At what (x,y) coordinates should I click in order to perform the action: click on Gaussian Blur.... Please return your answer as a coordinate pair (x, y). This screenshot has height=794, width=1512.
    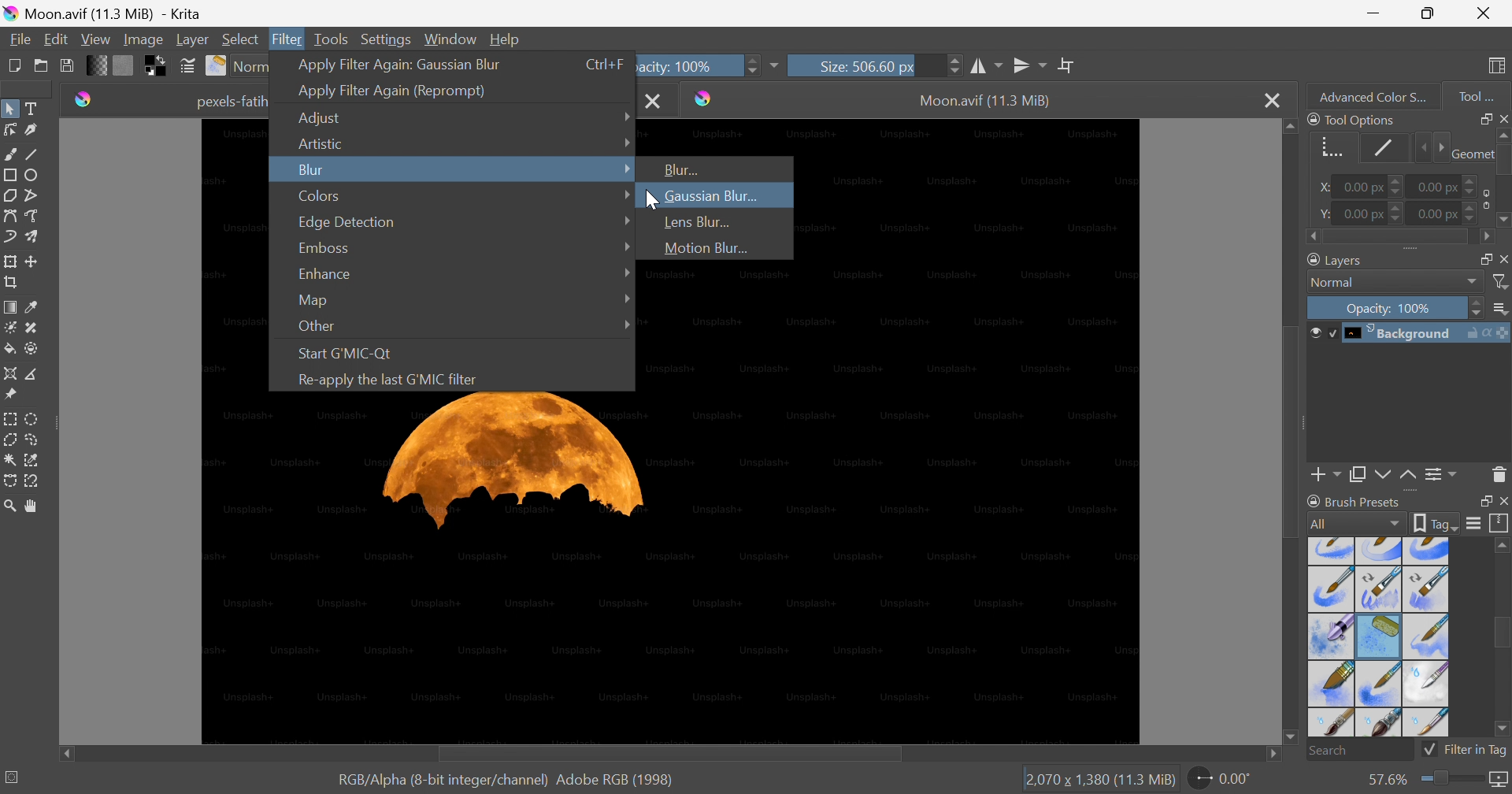
    Looking at the image, I should click on (708, 195).